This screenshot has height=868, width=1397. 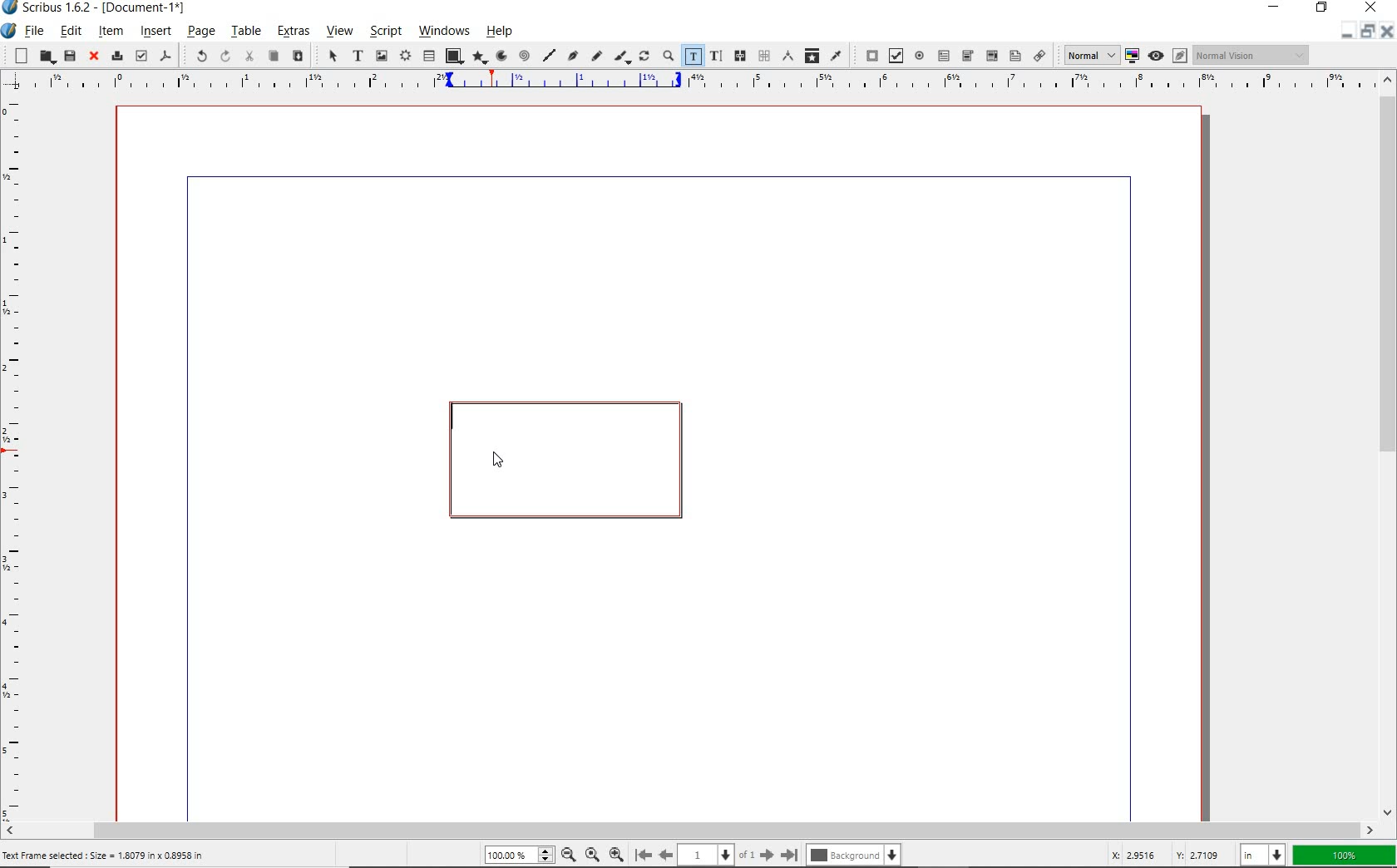 What do you see at coordinates (623, 57) in the screenshot?
I see `calligraphic line` at bounding box center [623, 57].